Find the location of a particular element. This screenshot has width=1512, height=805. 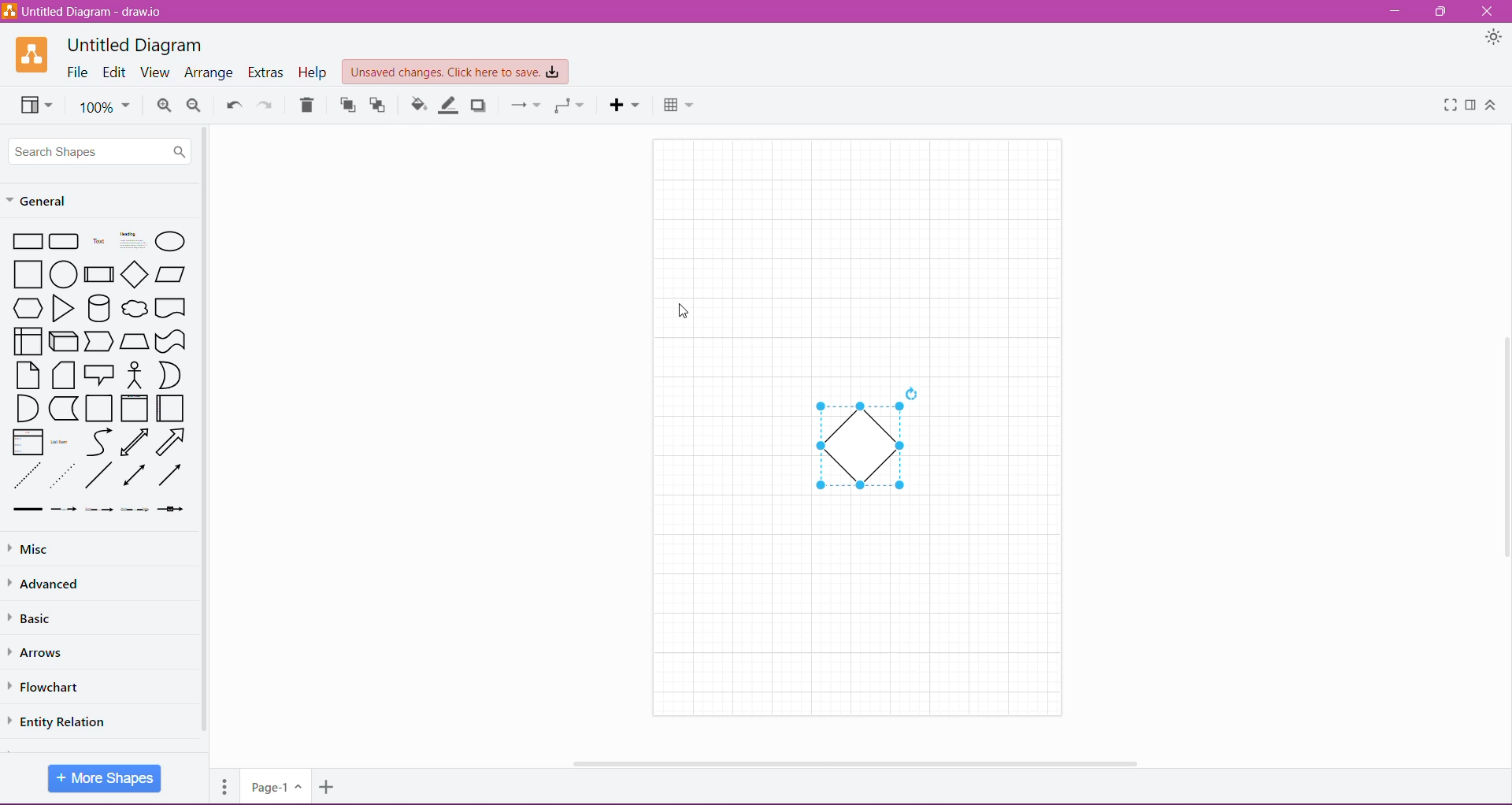

Format is located at coordinates (1471, 106).